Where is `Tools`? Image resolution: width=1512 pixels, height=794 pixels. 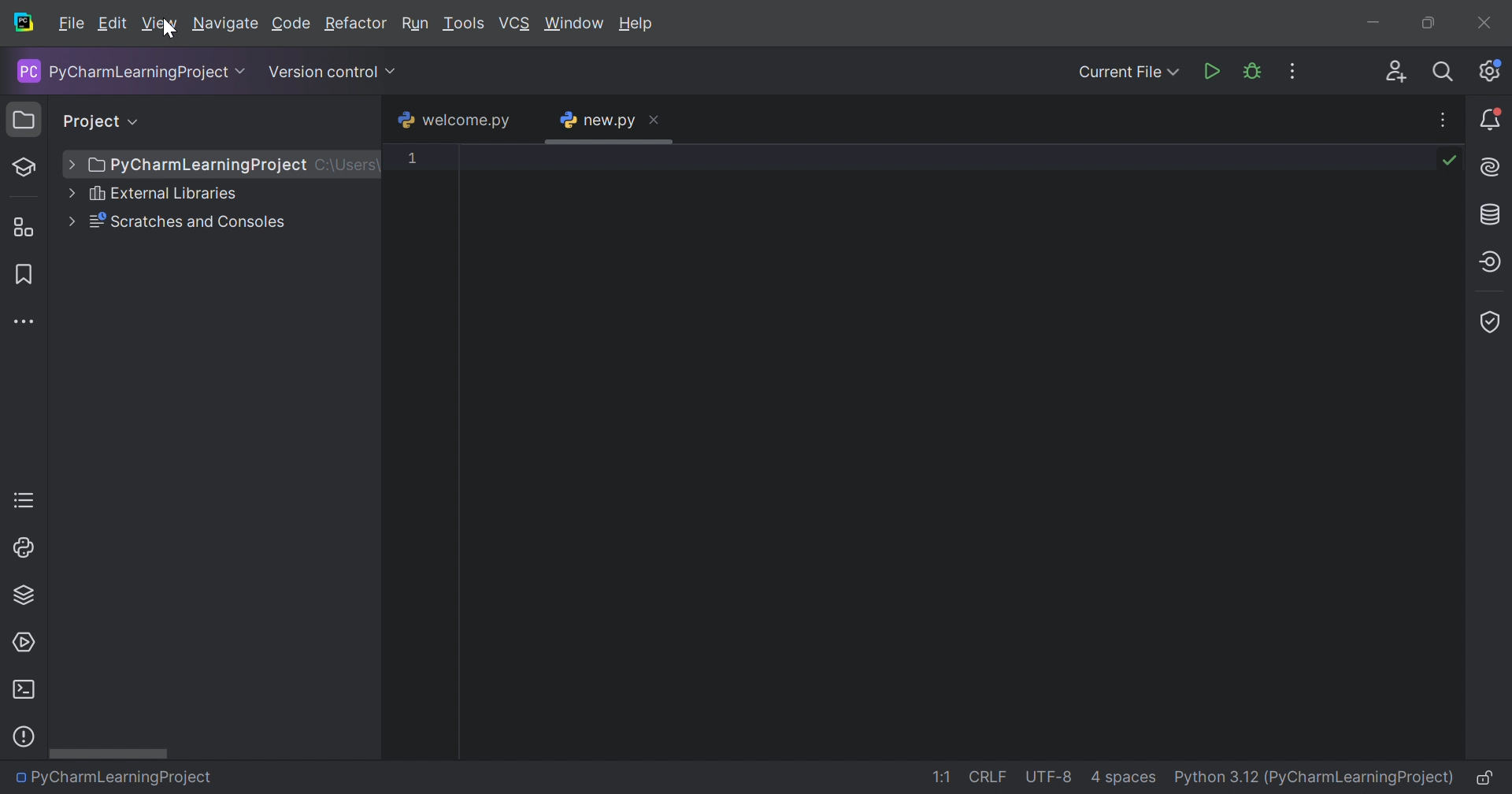
Tools is located at coordinates (464, 25).